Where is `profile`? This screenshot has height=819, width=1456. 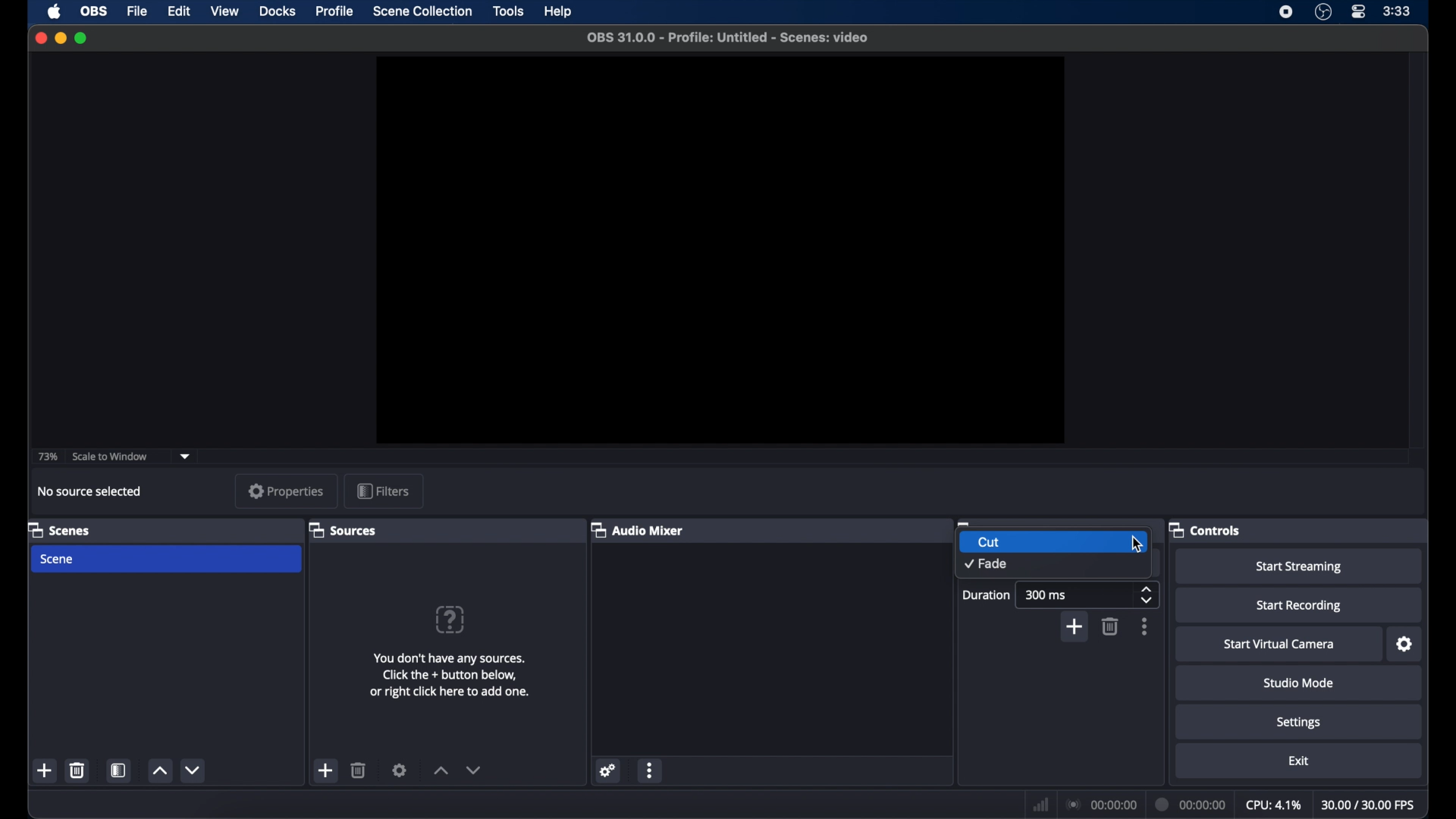
profile is located at coordinates (335, 11).